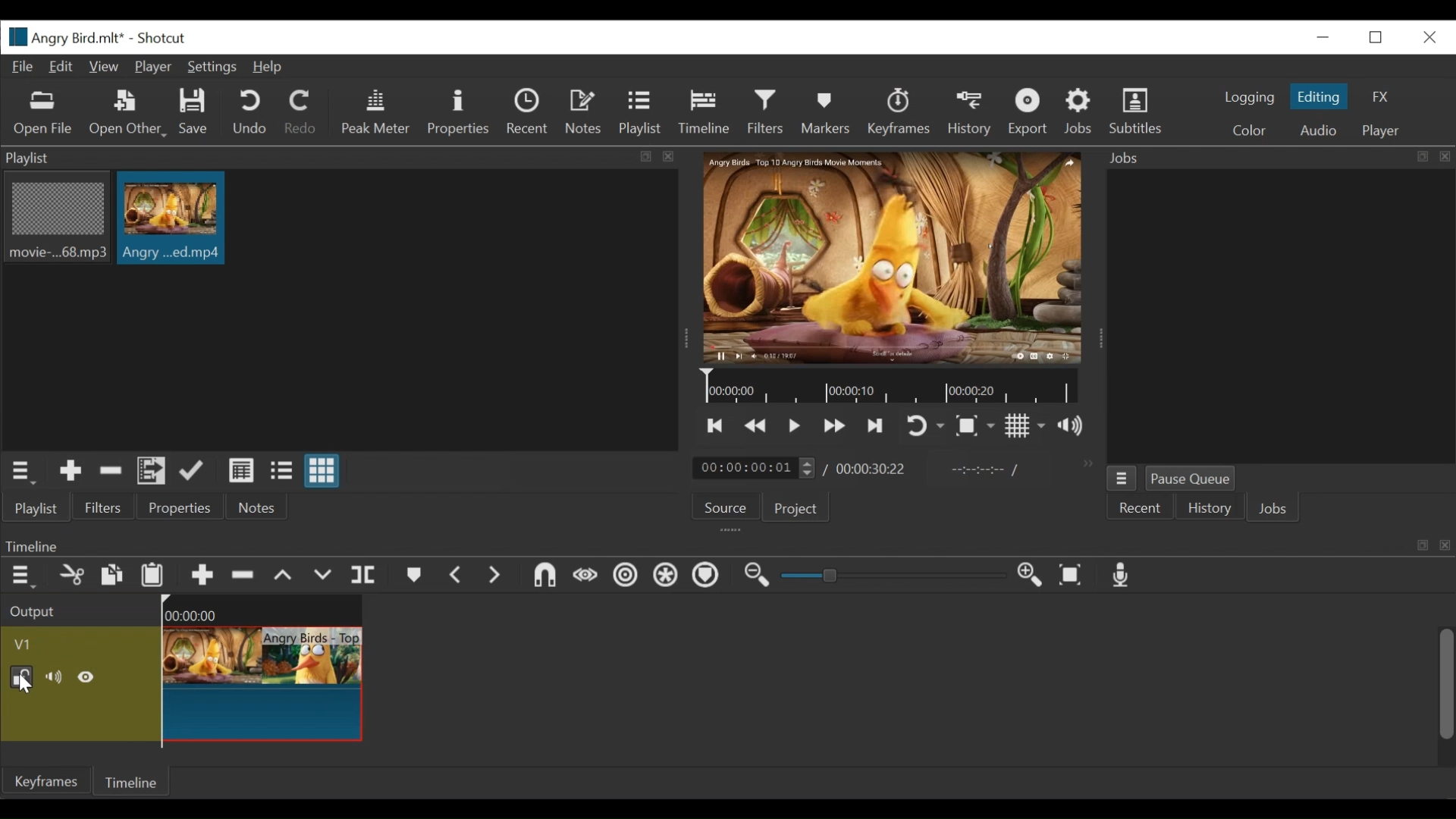  I want to click on Playlist, so click(642, 114).